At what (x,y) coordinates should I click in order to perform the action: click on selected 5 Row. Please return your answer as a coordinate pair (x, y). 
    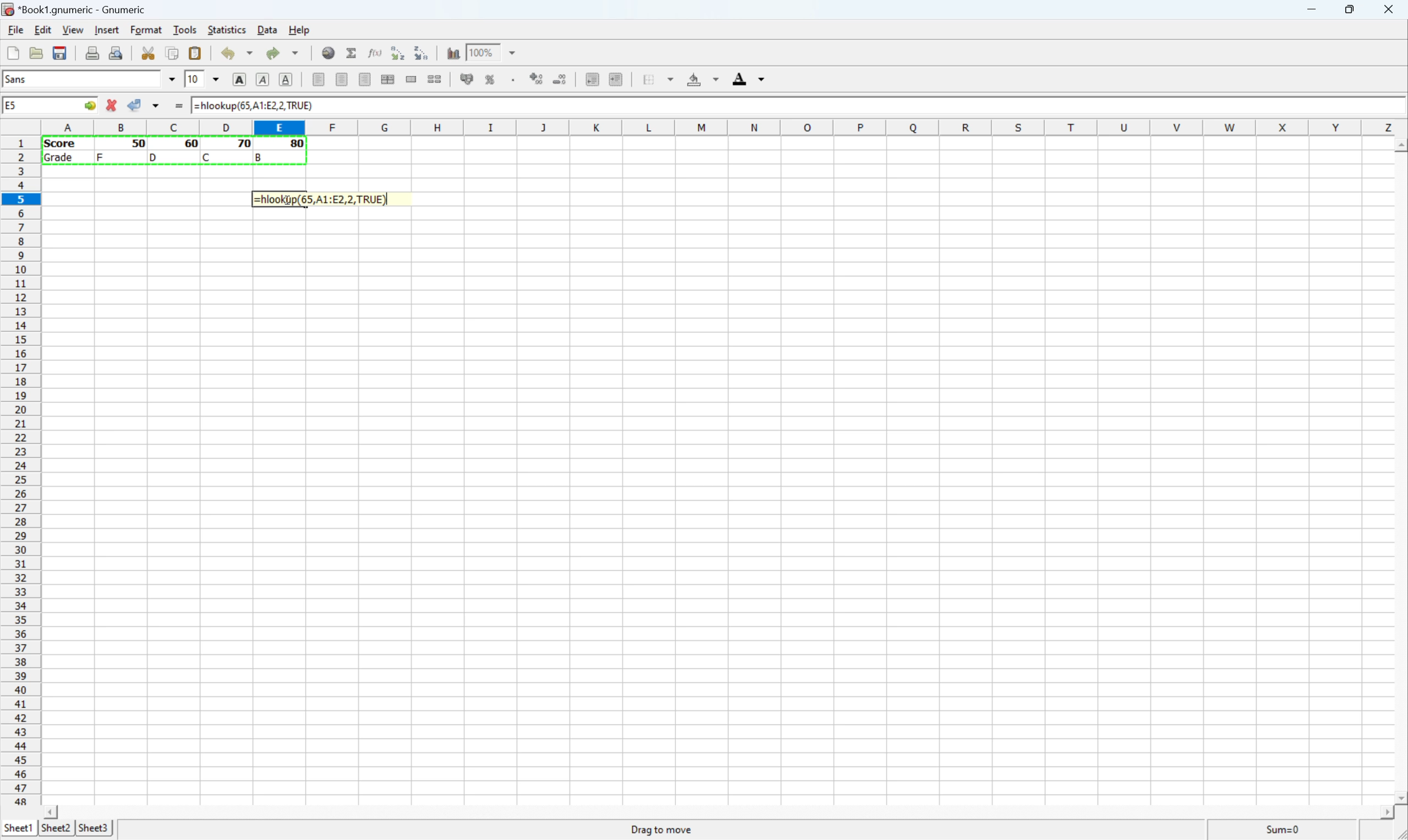
    Looking at the image, I should click on (20, 198).